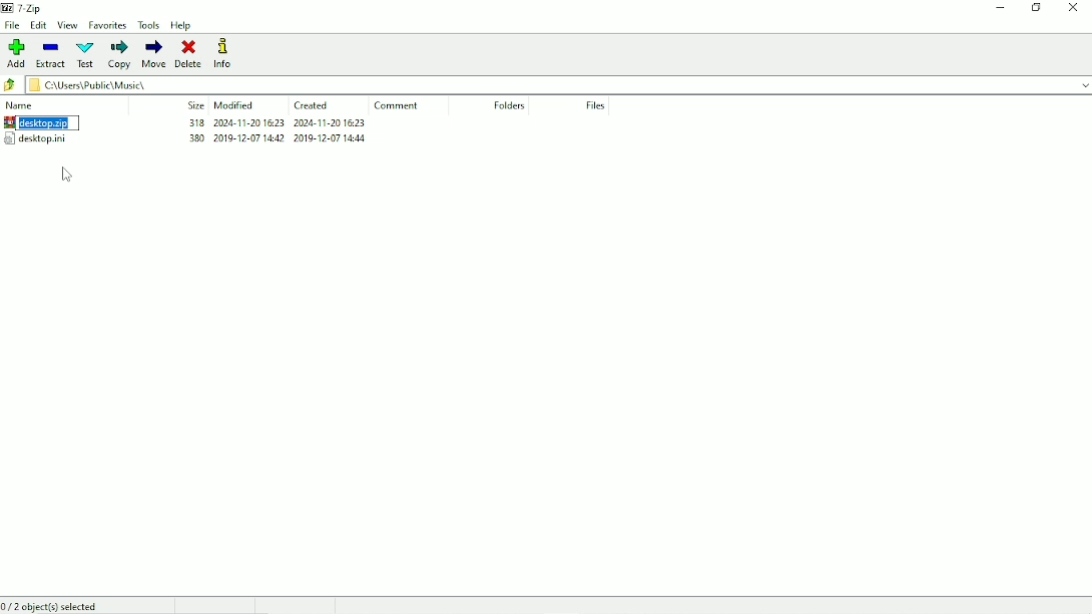 This screenshot has height=614, width=1092. I want to click on Folders, so click(509, 106).